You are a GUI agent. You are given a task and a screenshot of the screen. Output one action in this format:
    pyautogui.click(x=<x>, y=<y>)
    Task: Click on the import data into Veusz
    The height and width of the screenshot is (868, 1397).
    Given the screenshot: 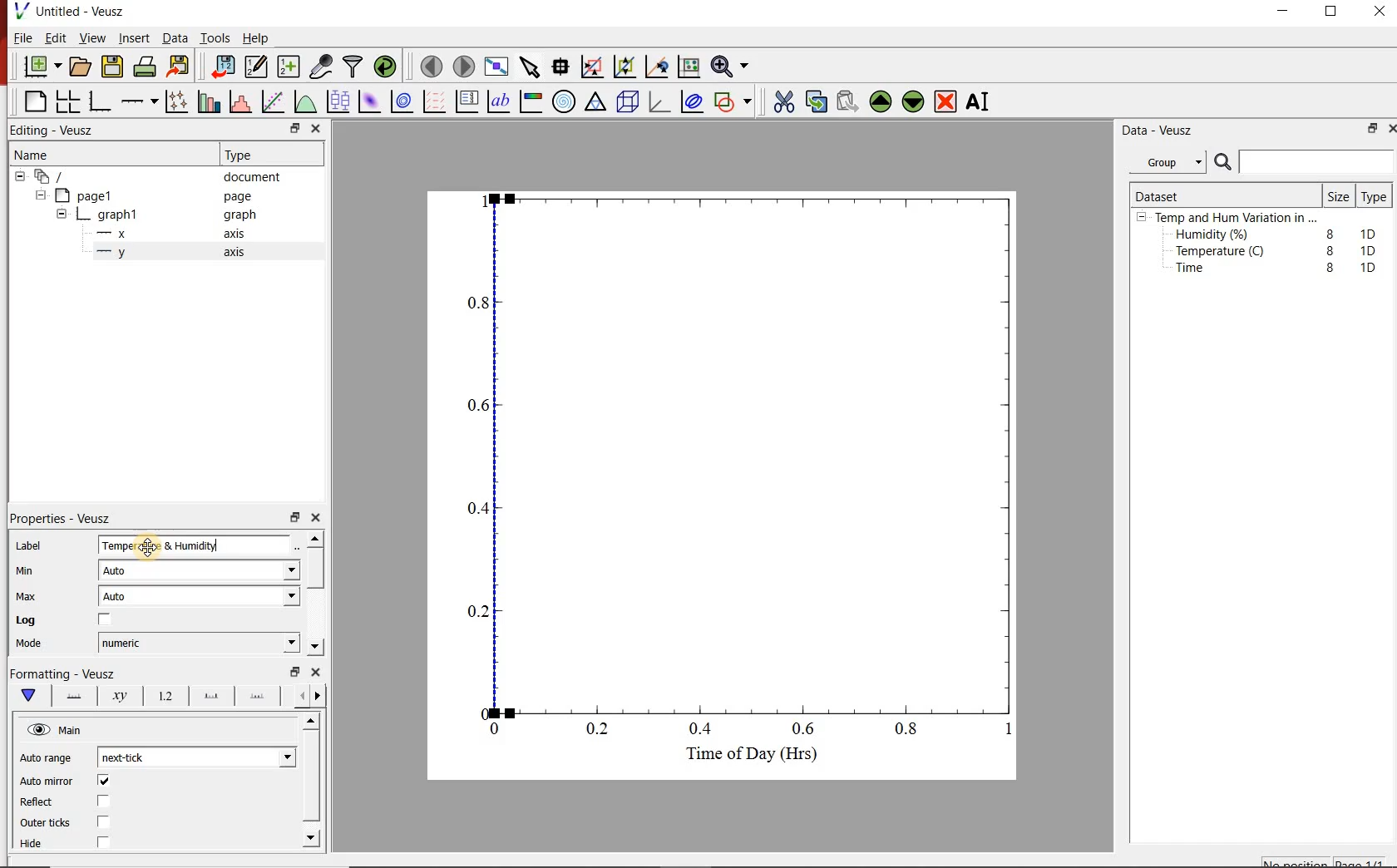 What is the action you would take?
    pyautogui.click(x=222, y=65)
    